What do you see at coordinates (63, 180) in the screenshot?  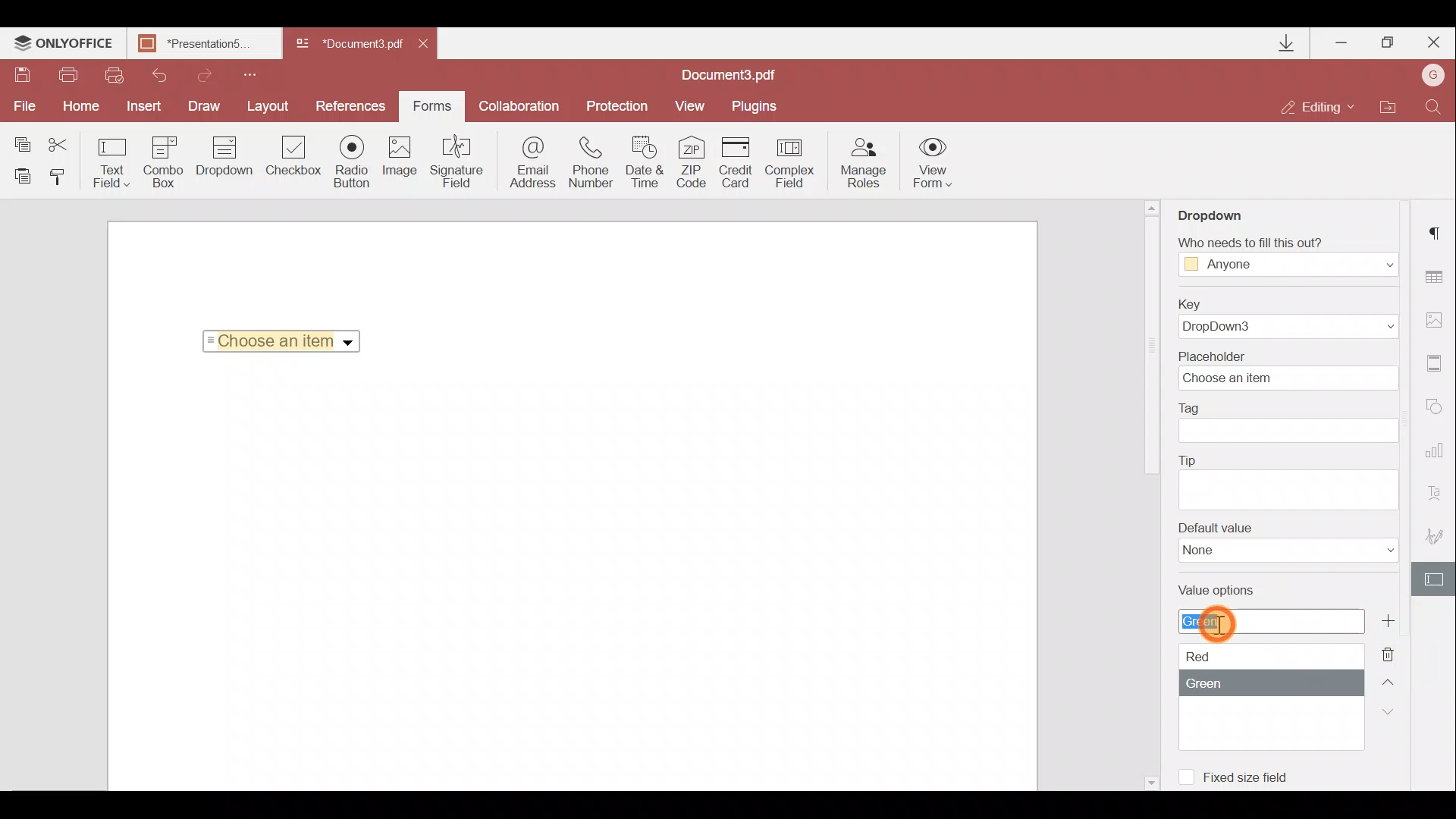 I see `Copy style` at bounding box center [63, 180].